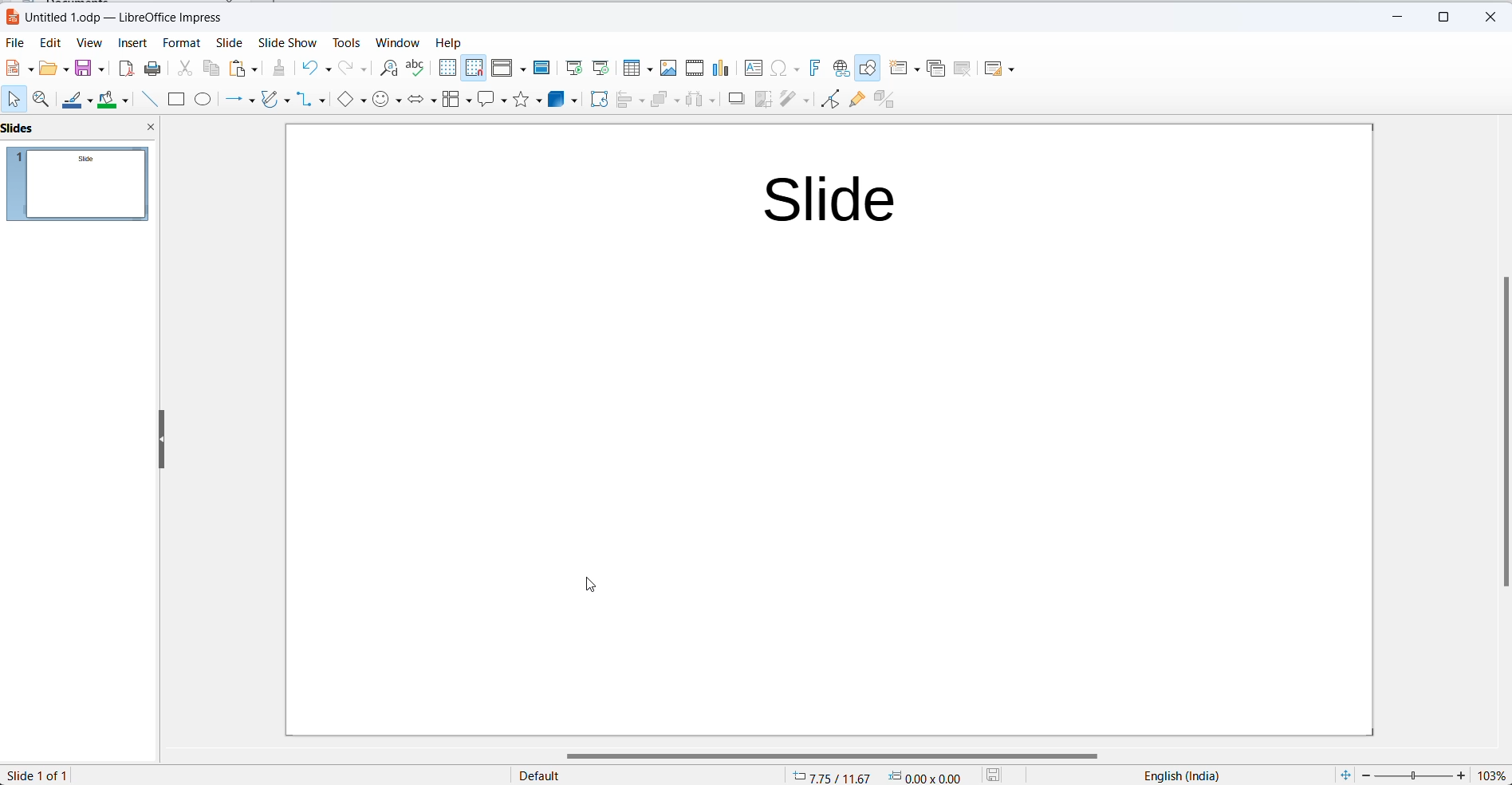 Image resolution: width=1512 pixels, height=785 pixels. I want to click on arange, so click(664, 102).